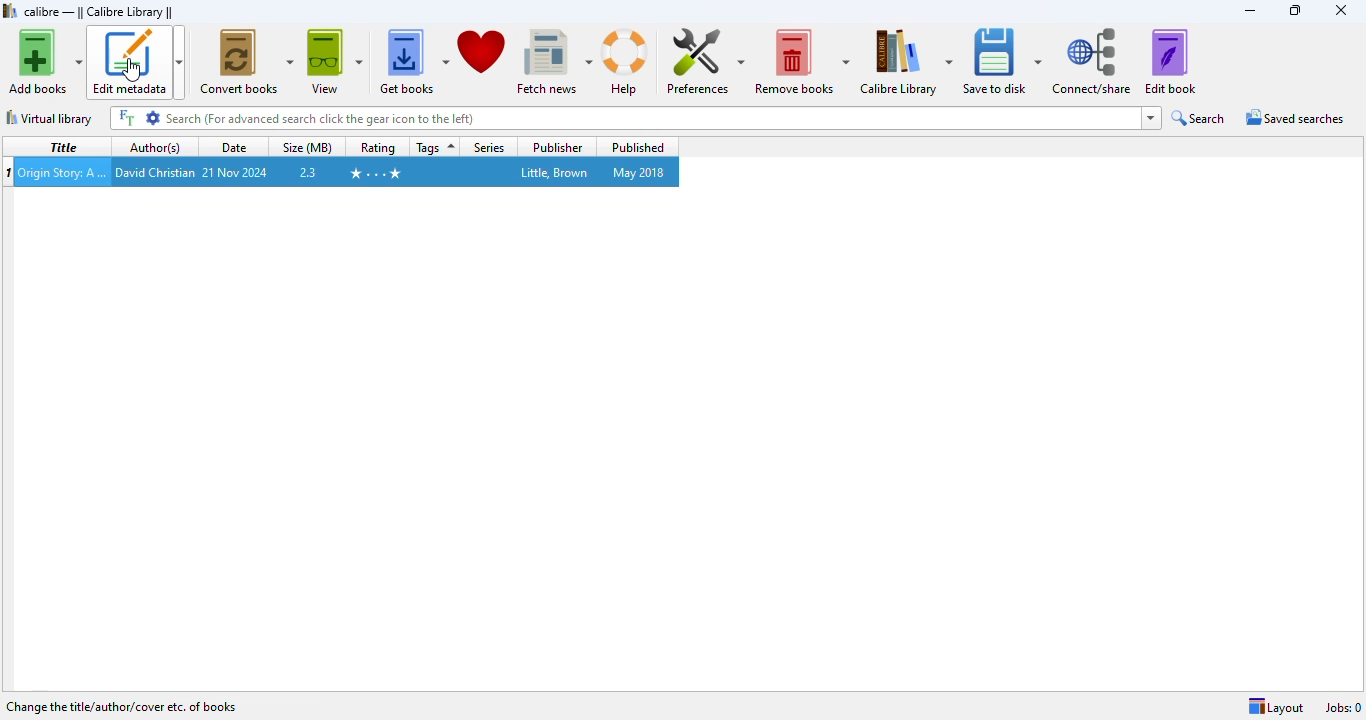  Describe the element at coordinates (61, 148) in the screenshot. I see `title` at that location.